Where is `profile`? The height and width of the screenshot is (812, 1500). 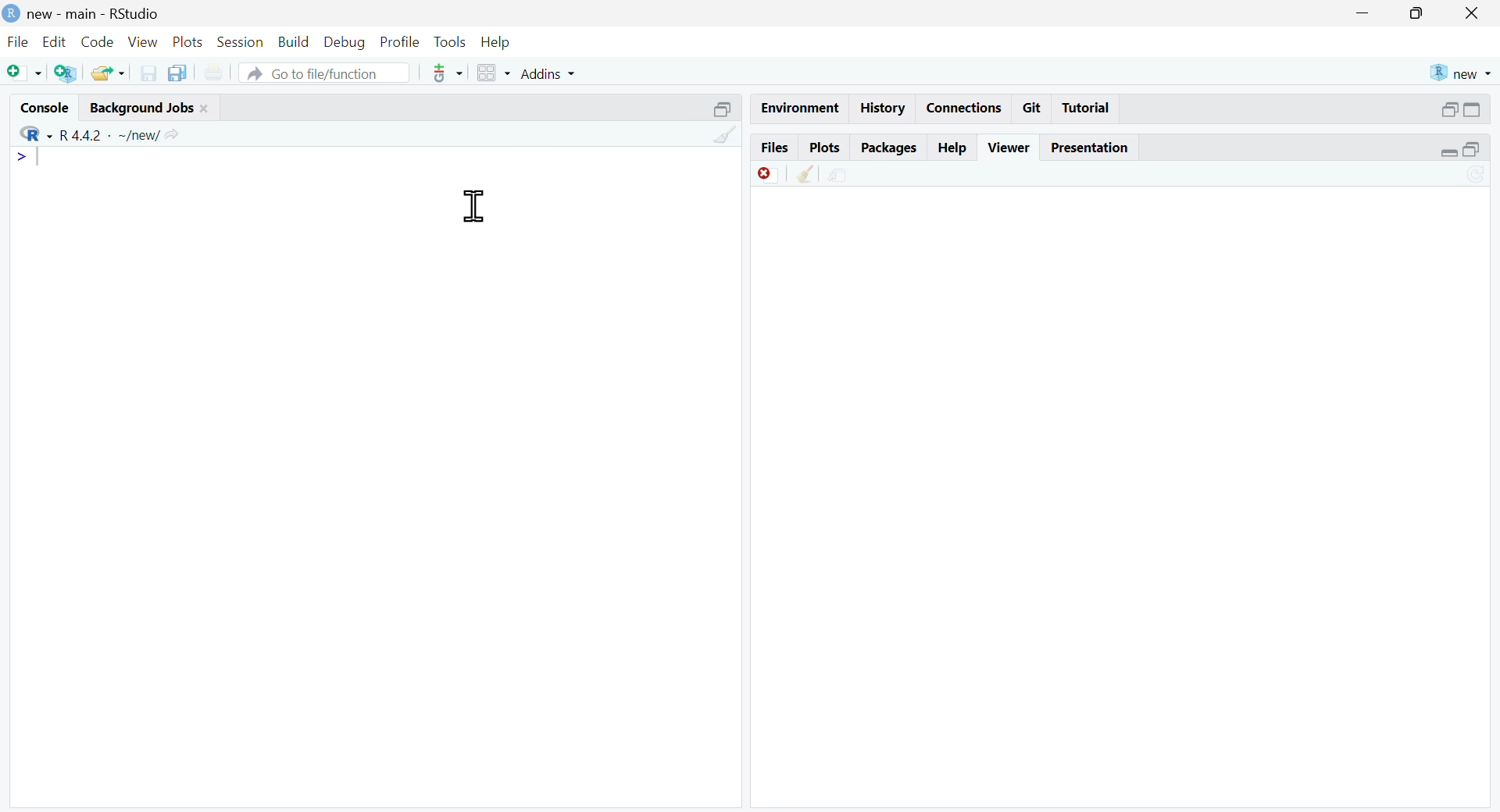
profile is located at coordinates (401, 42).